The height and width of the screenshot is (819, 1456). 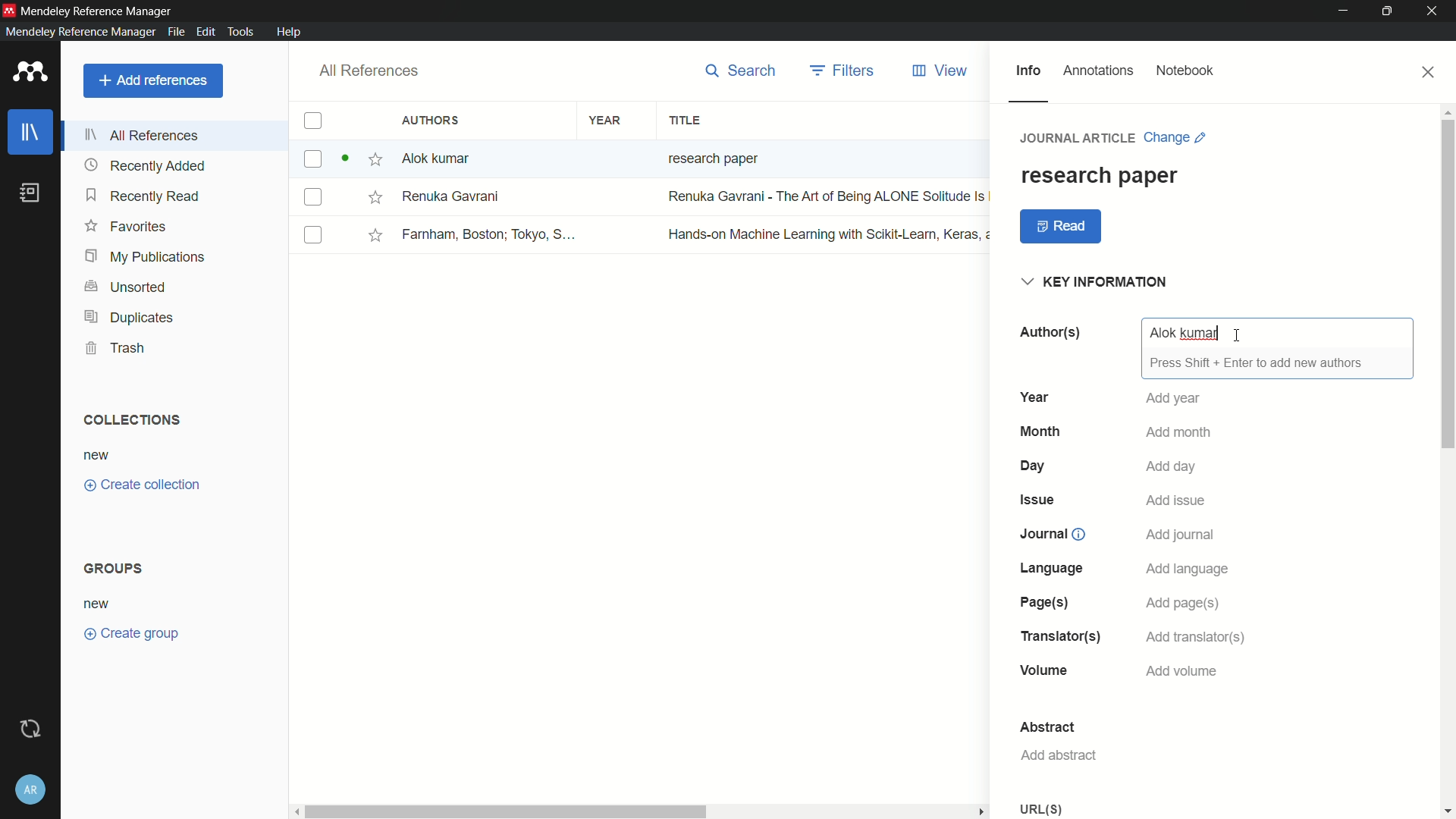 I want to click on help menu, so click(x=288, y=32).